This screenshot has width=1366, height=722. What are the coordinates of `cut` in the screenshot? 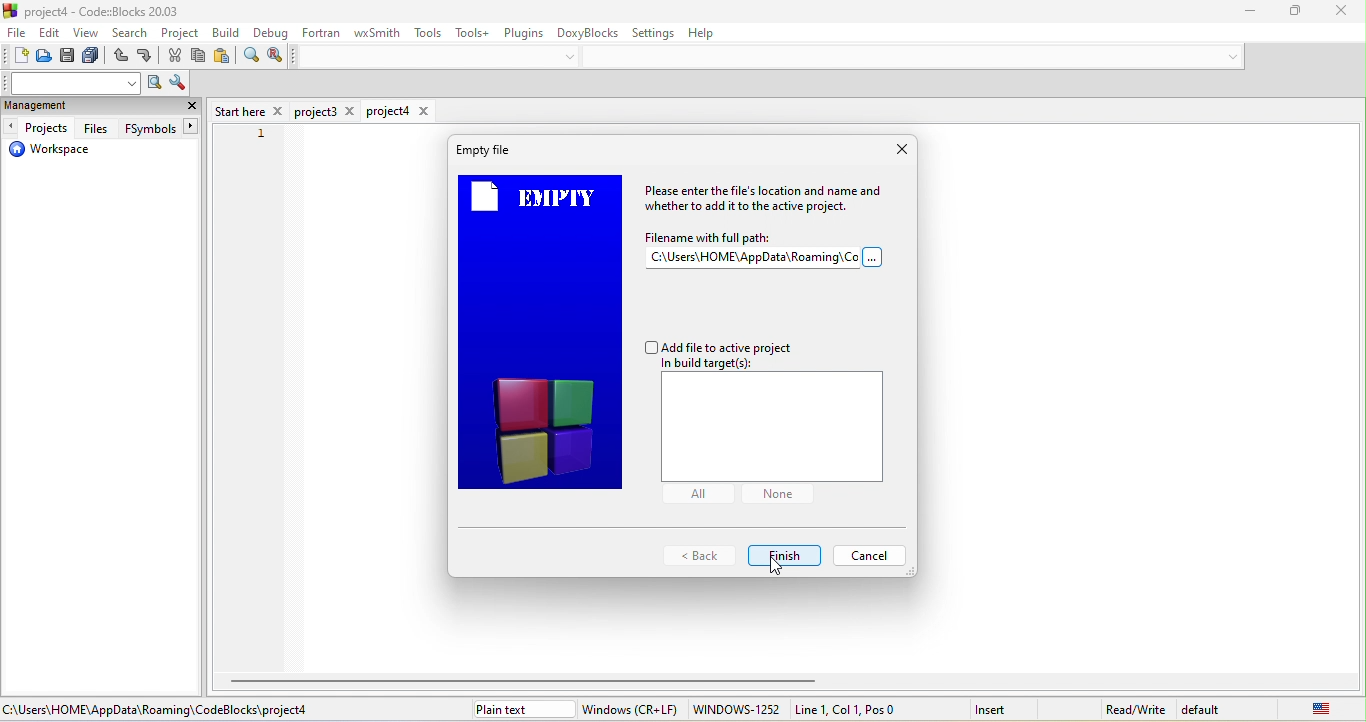 It's located at (176, 57).